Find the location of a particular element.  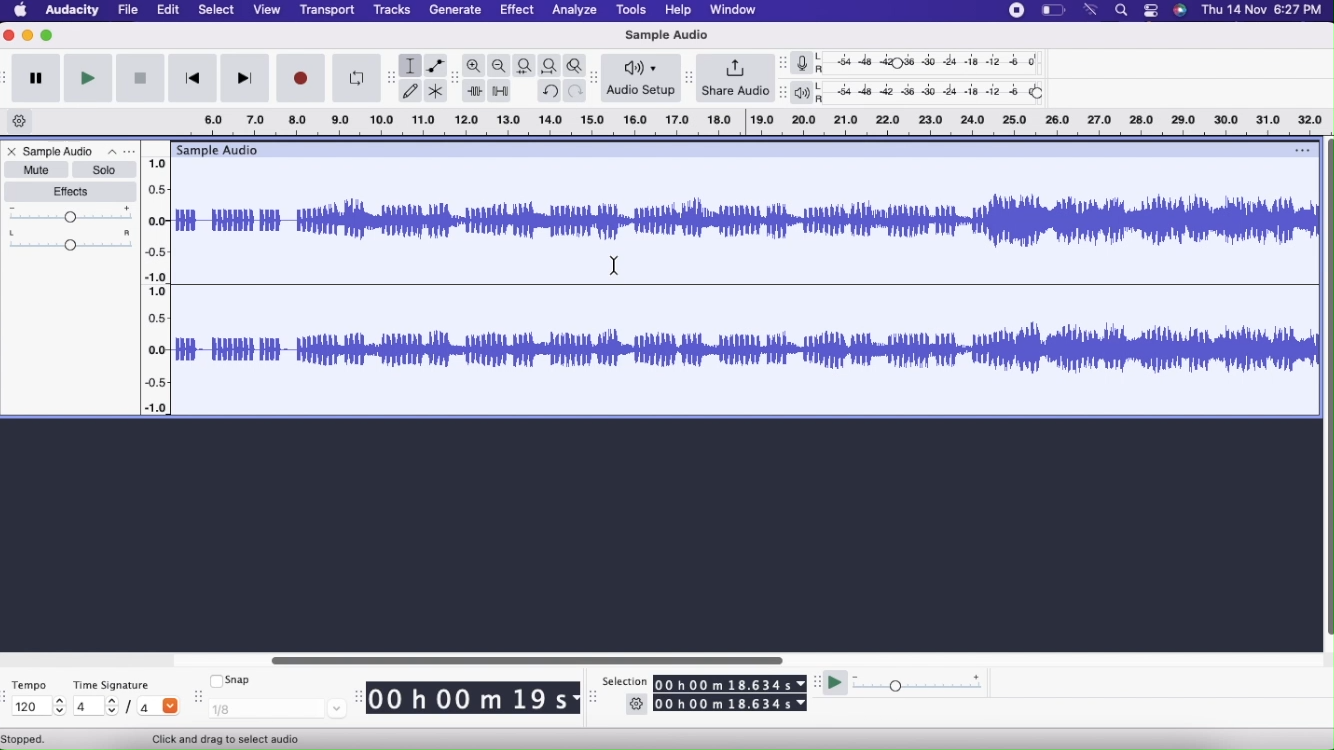

Slider is located at coordinates (158, 281).